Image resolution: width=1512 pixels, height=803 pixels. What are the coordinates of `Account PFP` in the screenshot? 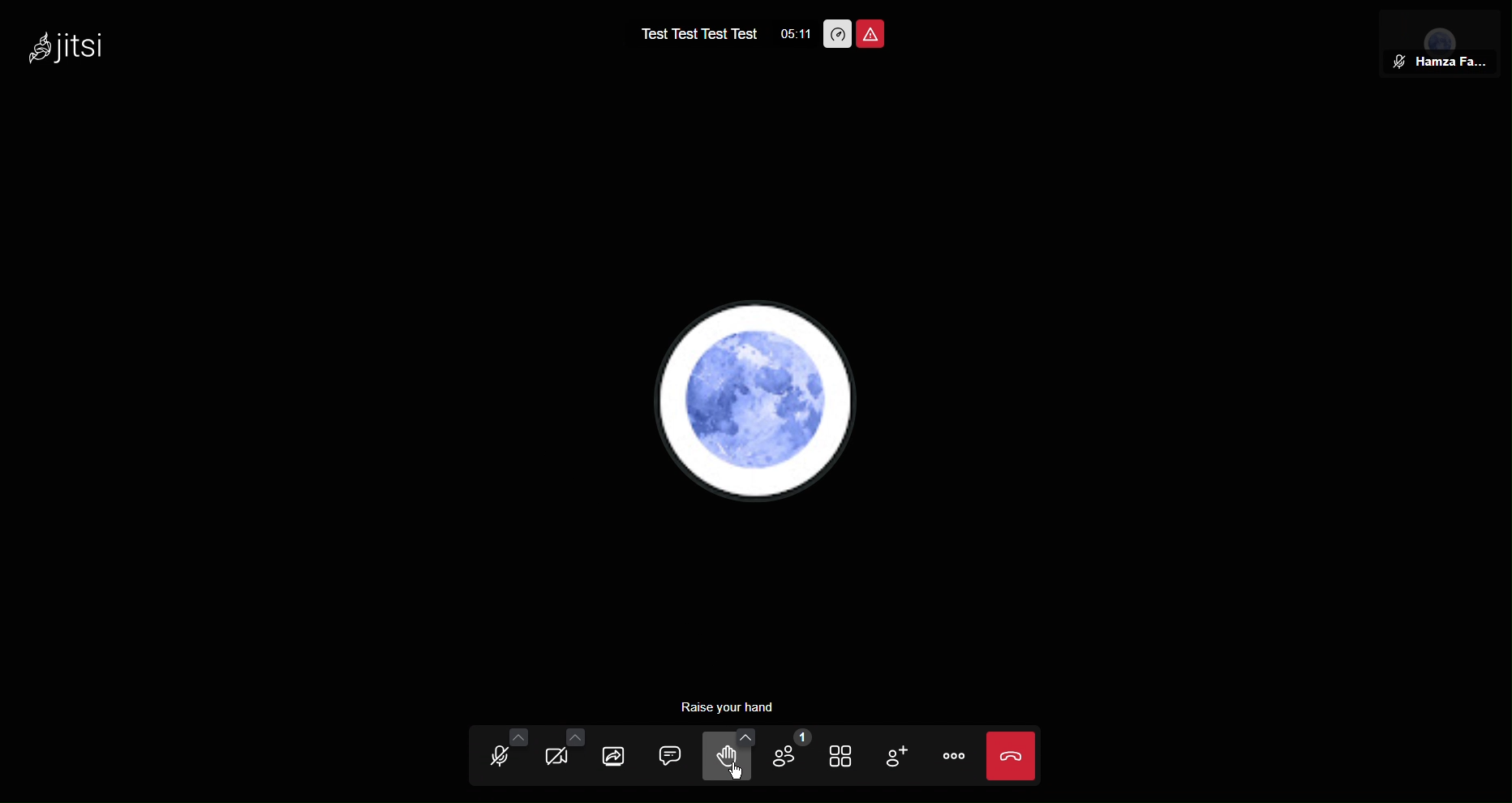 It's located at (758, 404).